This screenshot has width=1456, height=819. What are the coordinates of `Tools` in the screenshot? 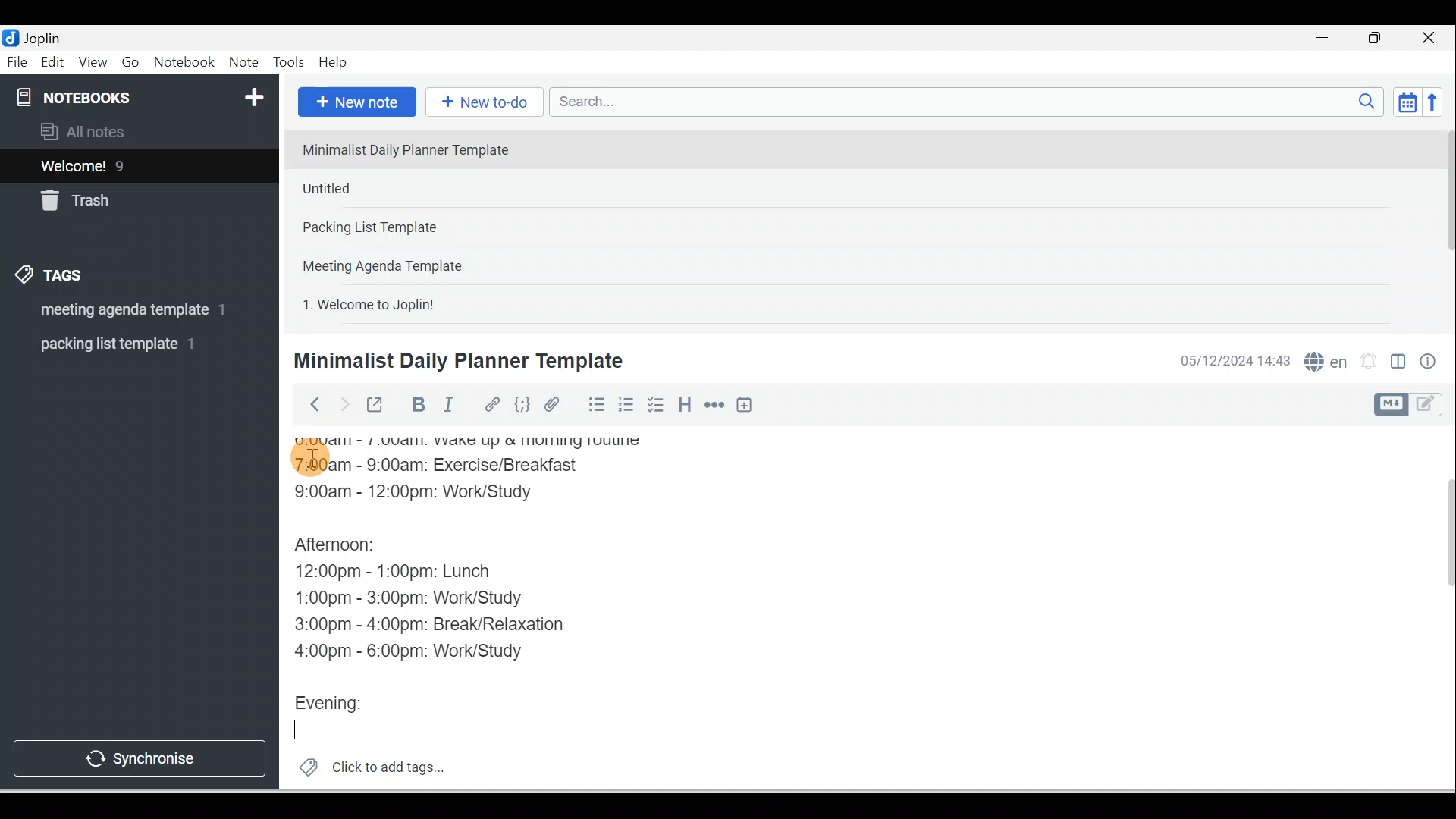 It's located at (288, 62).